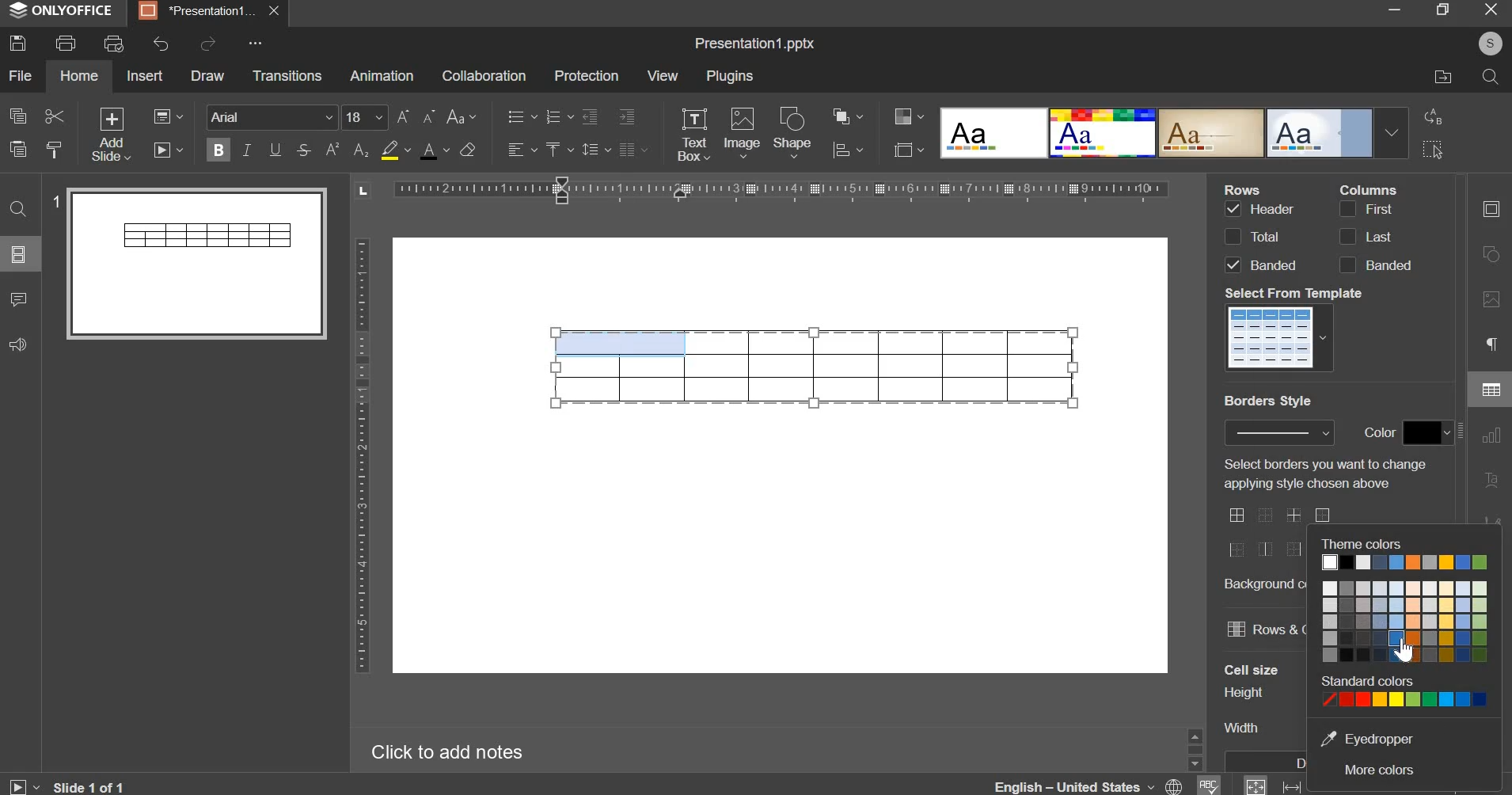  Describe the element at coordinates (167, 116) in the screenshot. I see `change layout` at that location.